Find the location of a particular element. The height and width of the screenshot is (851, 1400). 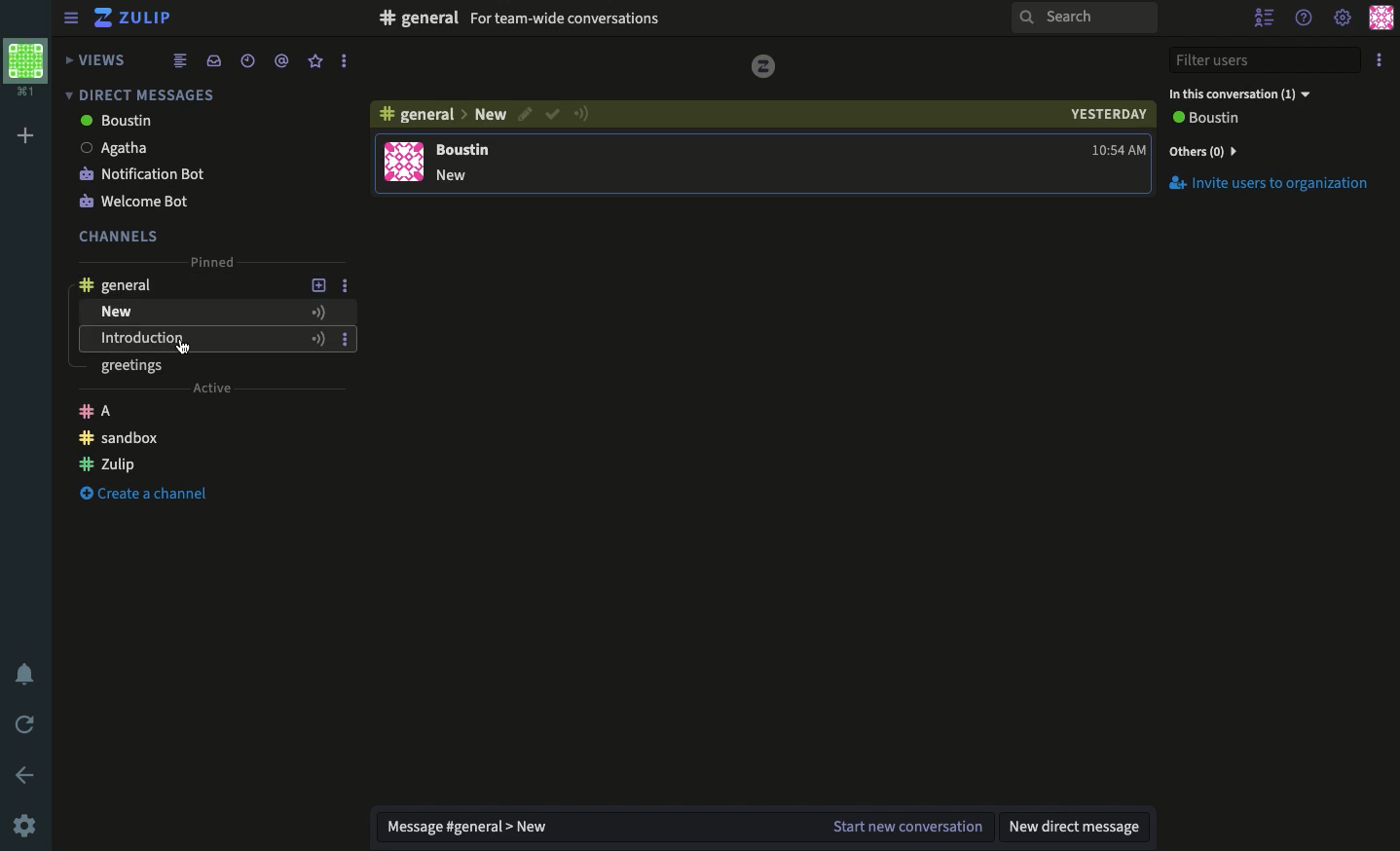

In this conversation is located at coordinates (1238, 93).